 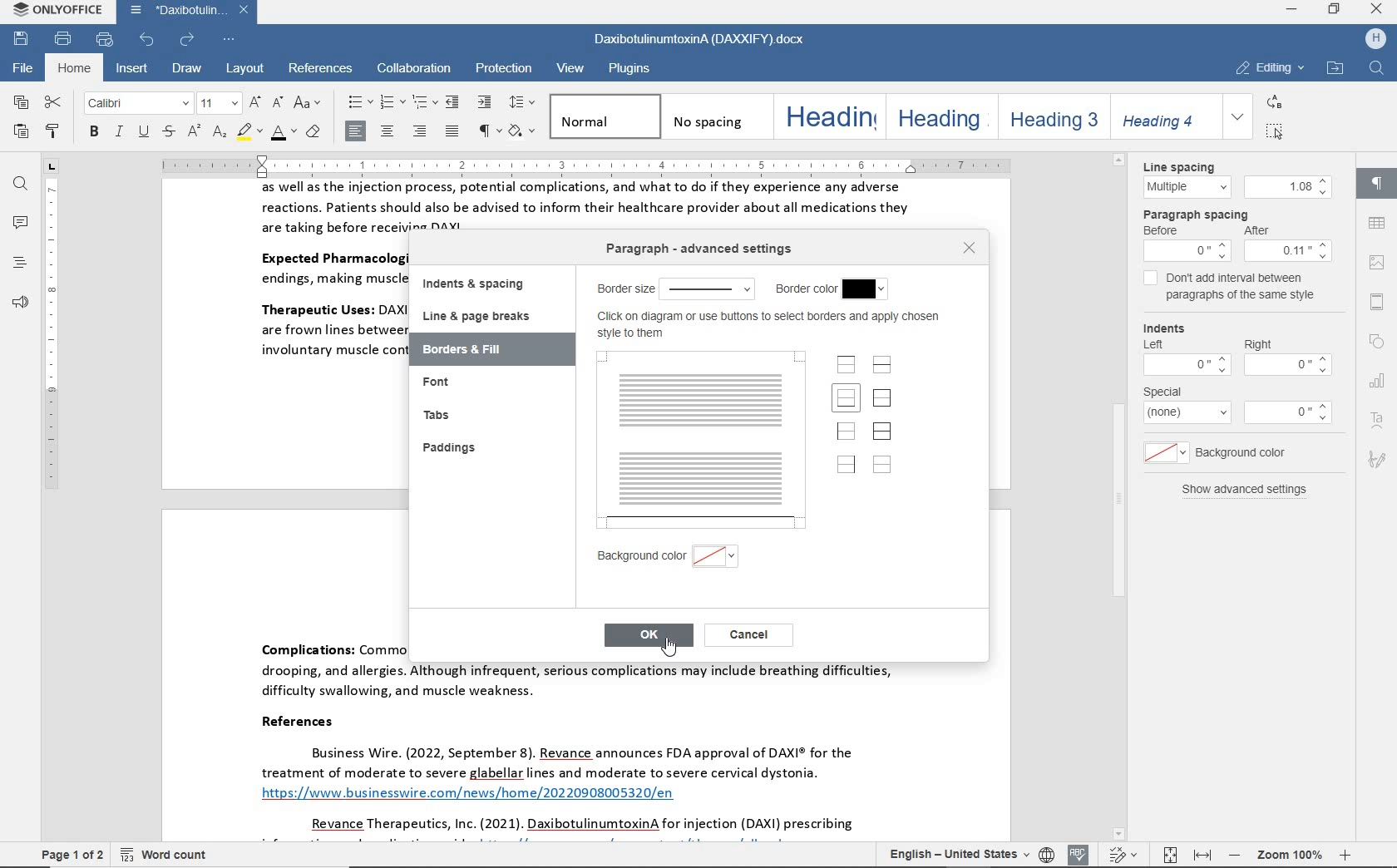 What do you see at coordinates (217, 104) in the screenshot?
I see `font size` at bounding box center [217, 104].